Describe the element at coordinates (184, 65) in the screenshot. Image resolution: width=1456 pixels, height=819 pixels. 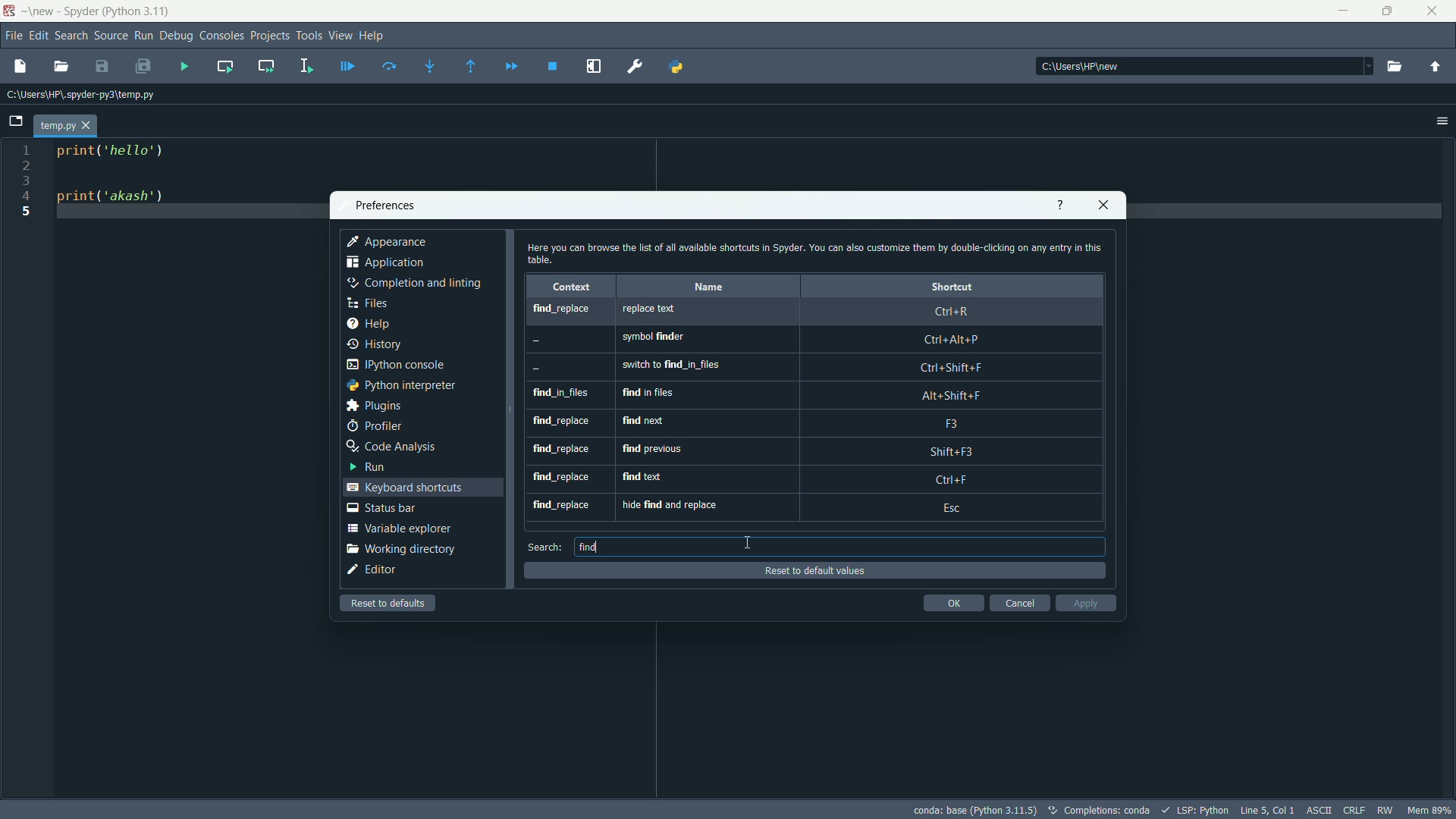
I see `run file` at that location.